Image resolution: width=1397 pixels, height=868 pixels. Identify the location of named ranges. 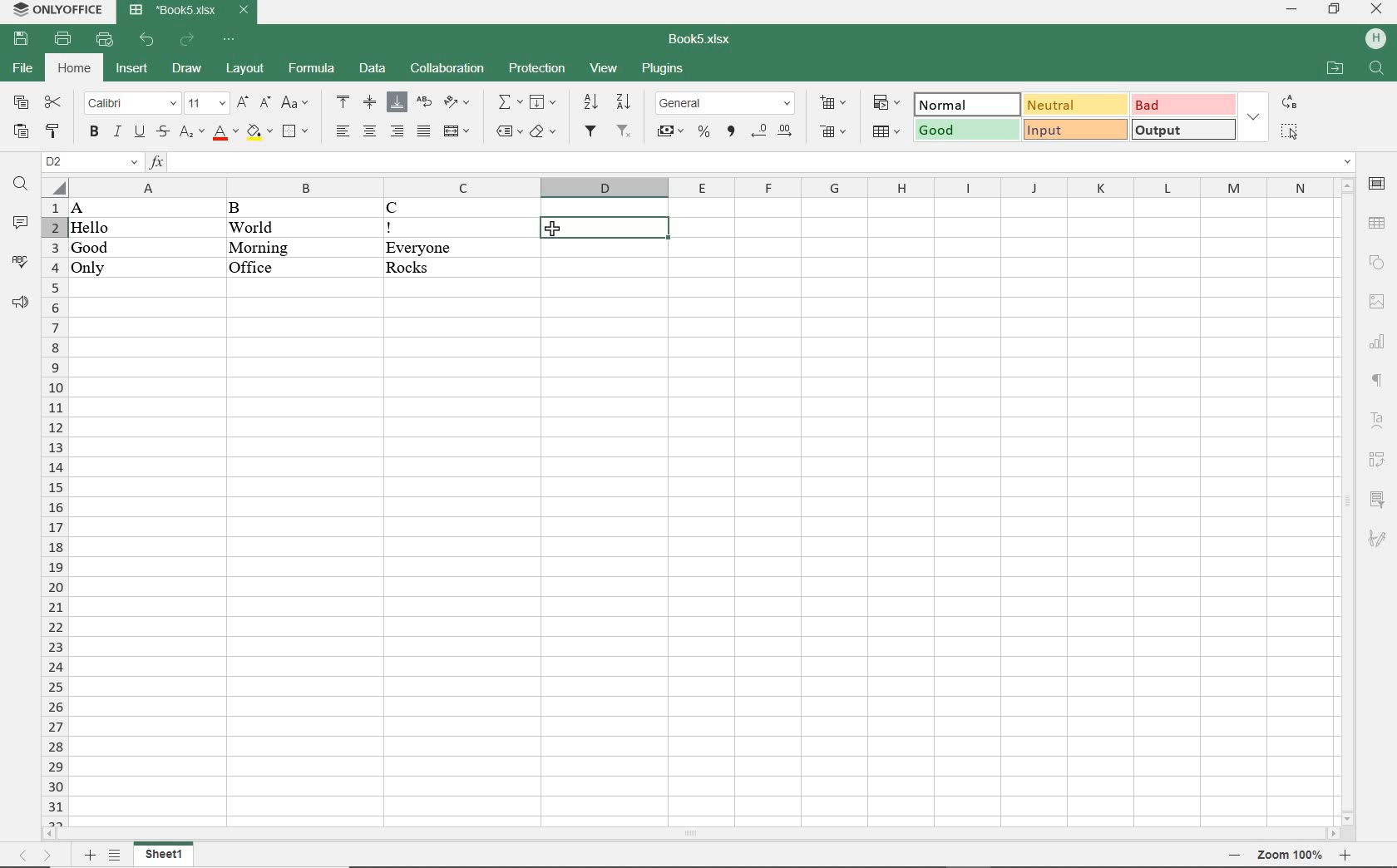
(506, 133).